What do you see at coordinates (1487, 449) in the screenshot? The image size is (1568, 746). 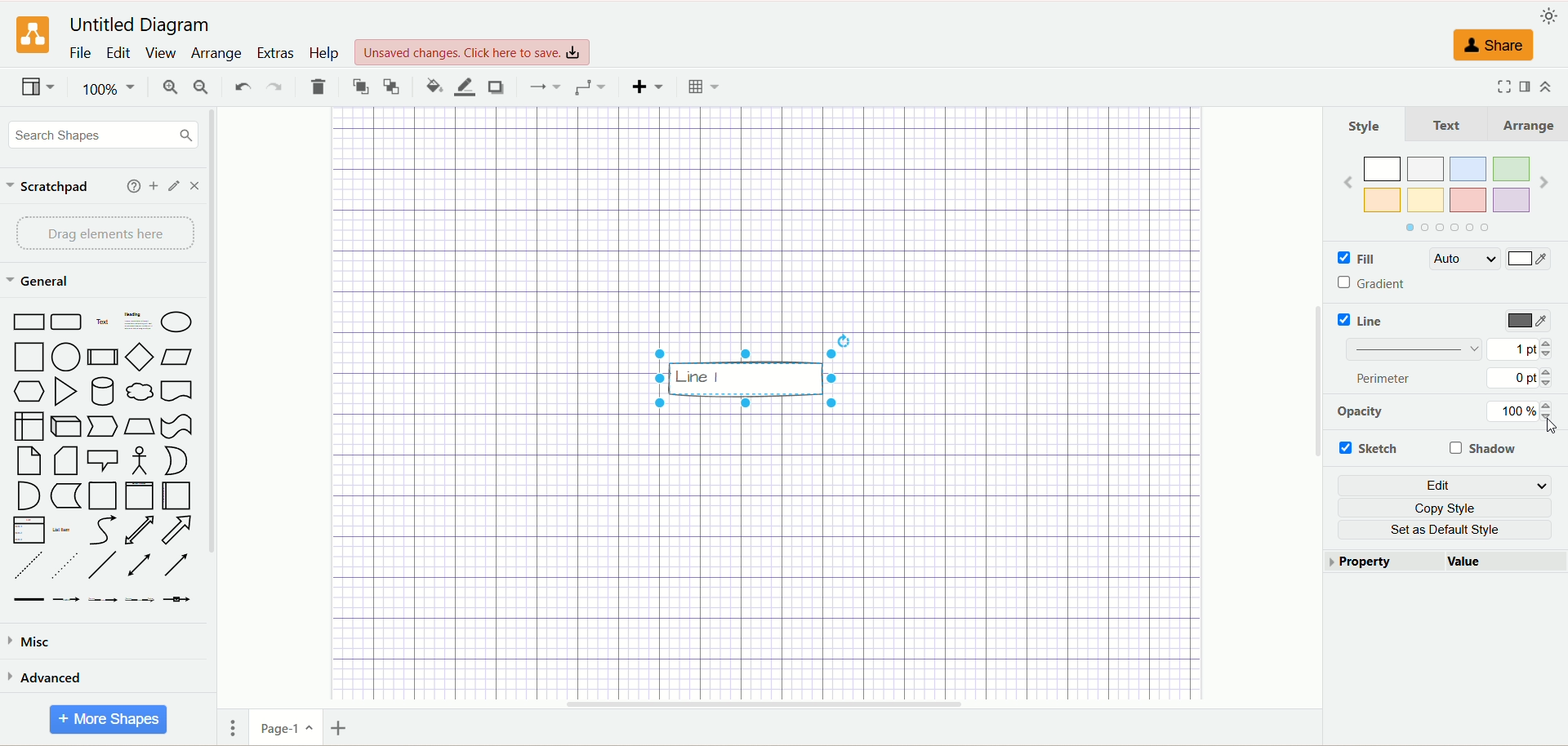 I see `shadow` at bounding box center [1487, 449].